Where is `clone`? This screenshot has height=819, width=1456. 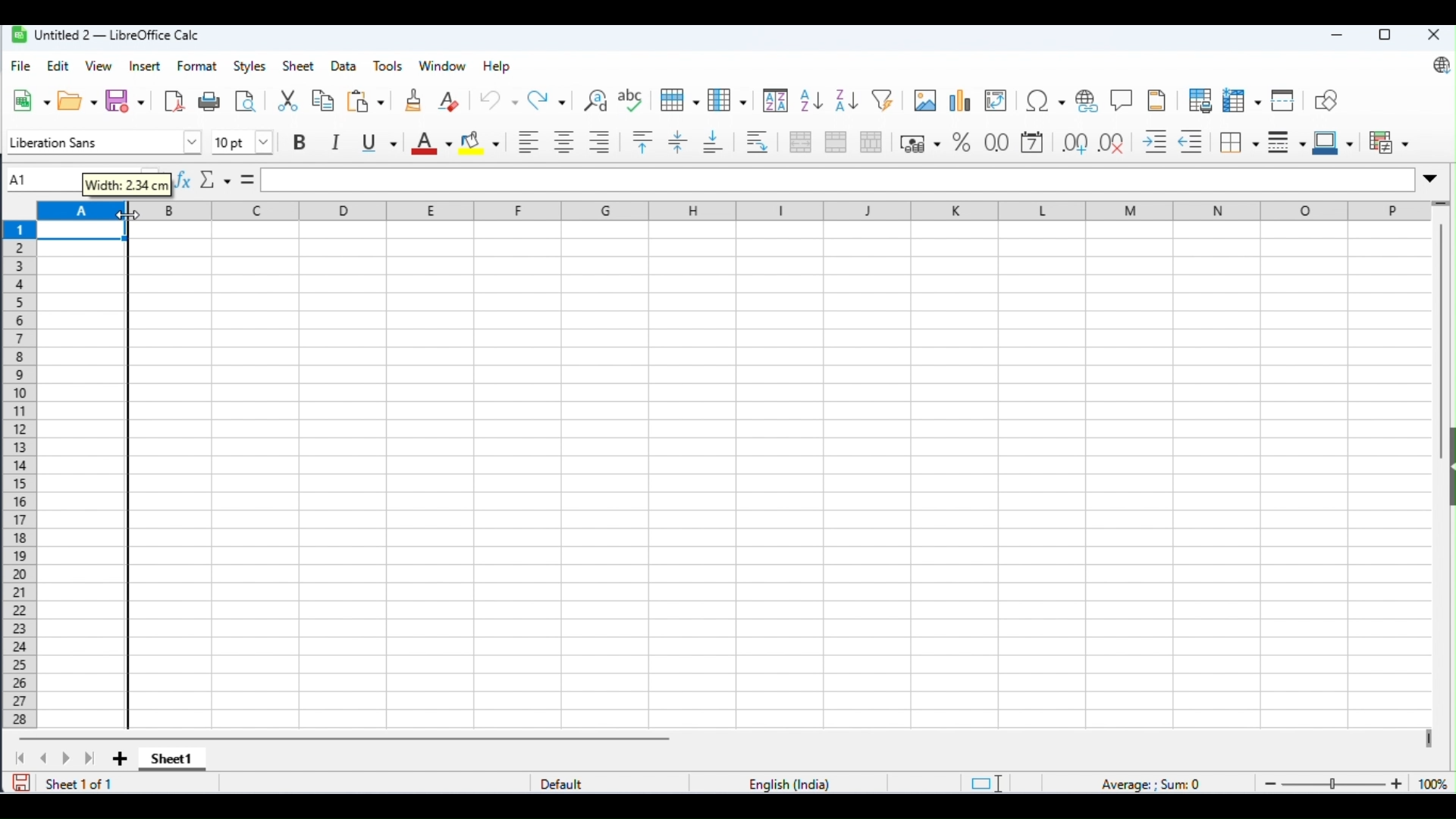
clone is located at coordinates (414, 99).